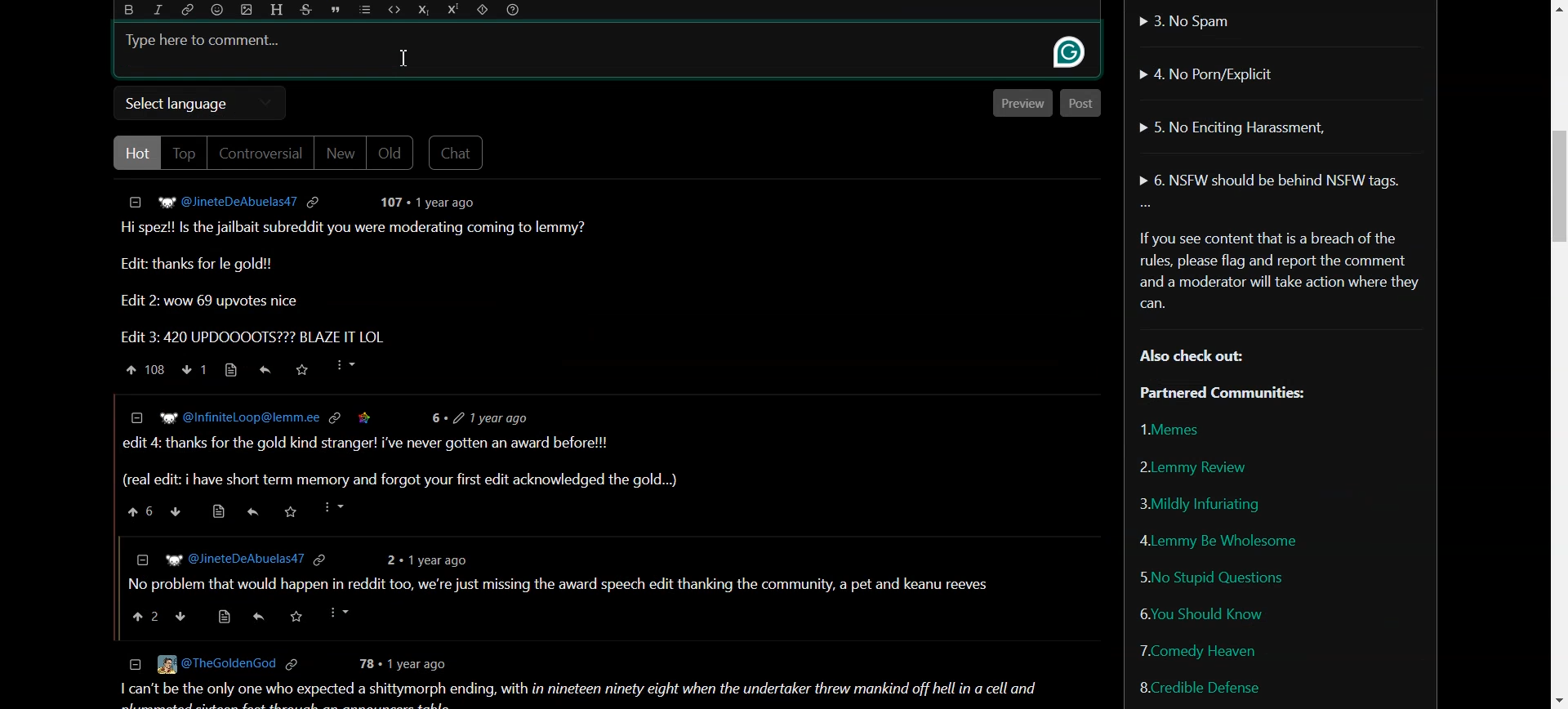  Describe the element at coordinates (590, 445) in the screenshot. I see `Post` at that location.